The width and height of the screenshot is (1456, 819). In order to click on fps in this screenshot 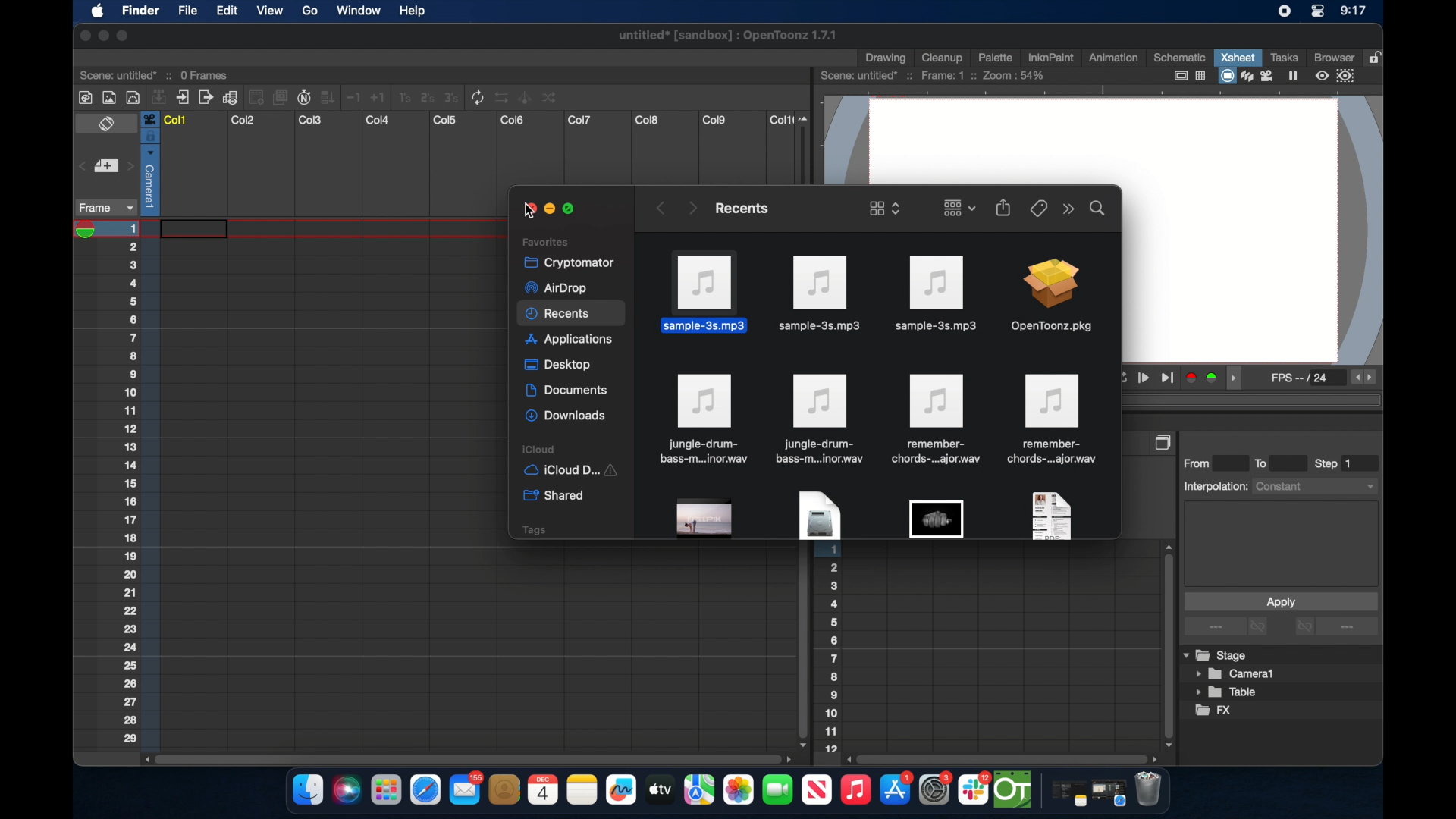, I will do `click(1301, 381)`.